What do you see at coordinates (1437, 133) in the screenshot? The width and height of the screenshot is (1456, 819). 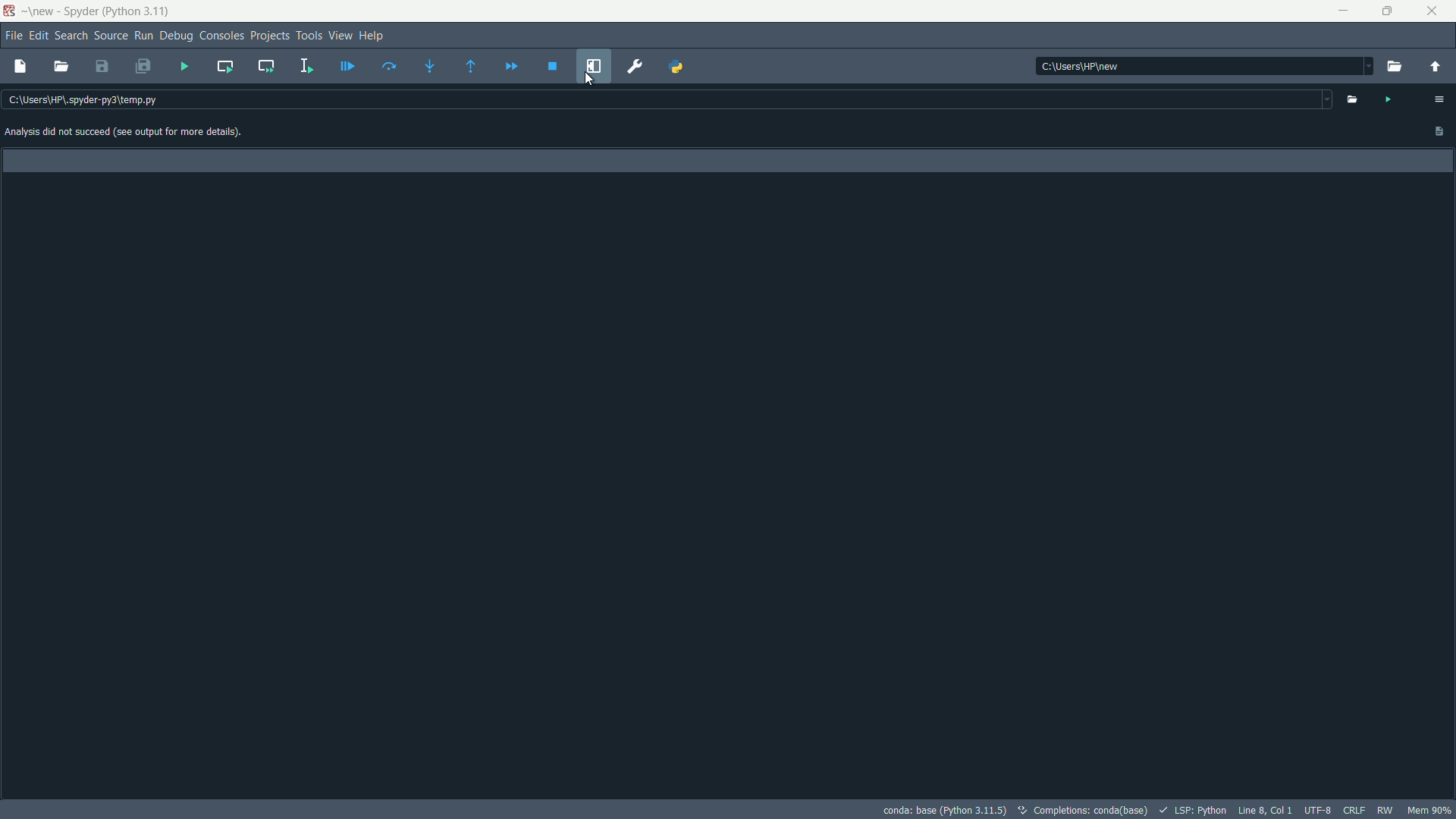 I see `Paste ` at bounding box center [1437, 133].